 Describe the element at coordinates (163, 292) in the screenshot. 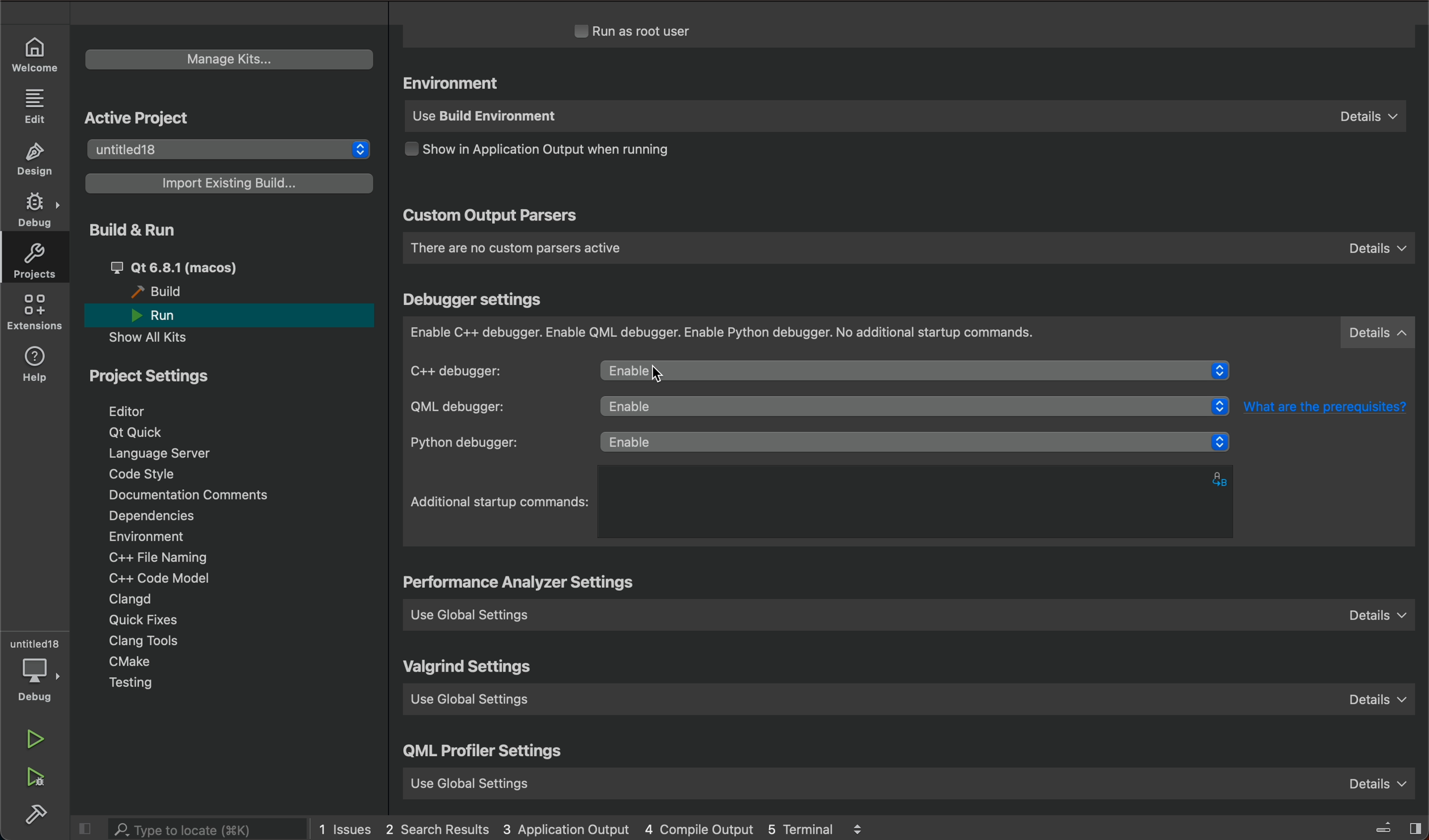

I see `build` at that location.